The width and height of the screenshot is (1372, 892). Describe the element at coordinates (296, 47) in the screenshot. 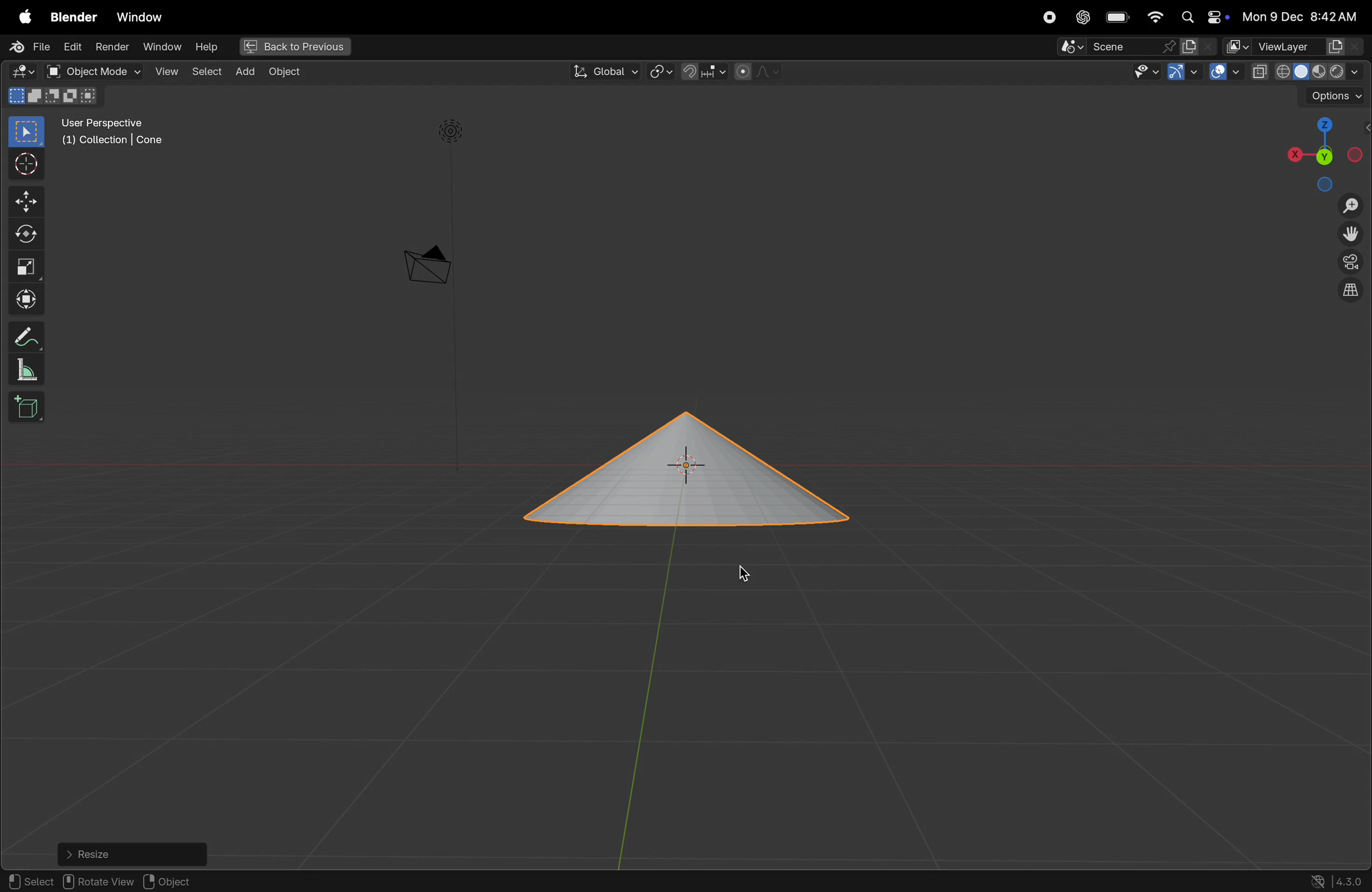

I see `back to previous` at that location.